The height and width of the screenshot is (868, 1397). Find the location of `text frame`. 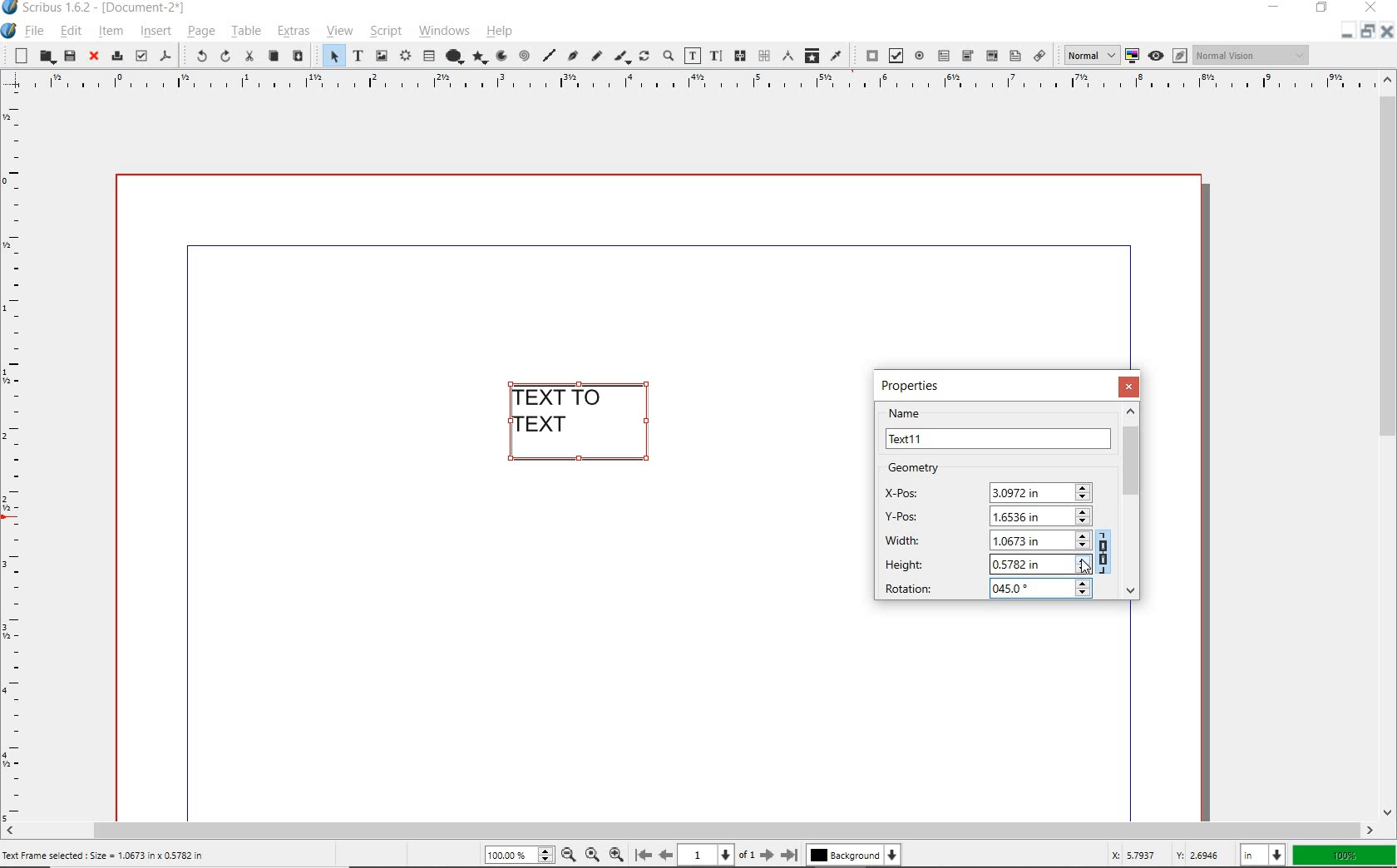

text frame is located at coordinates (358, 57).